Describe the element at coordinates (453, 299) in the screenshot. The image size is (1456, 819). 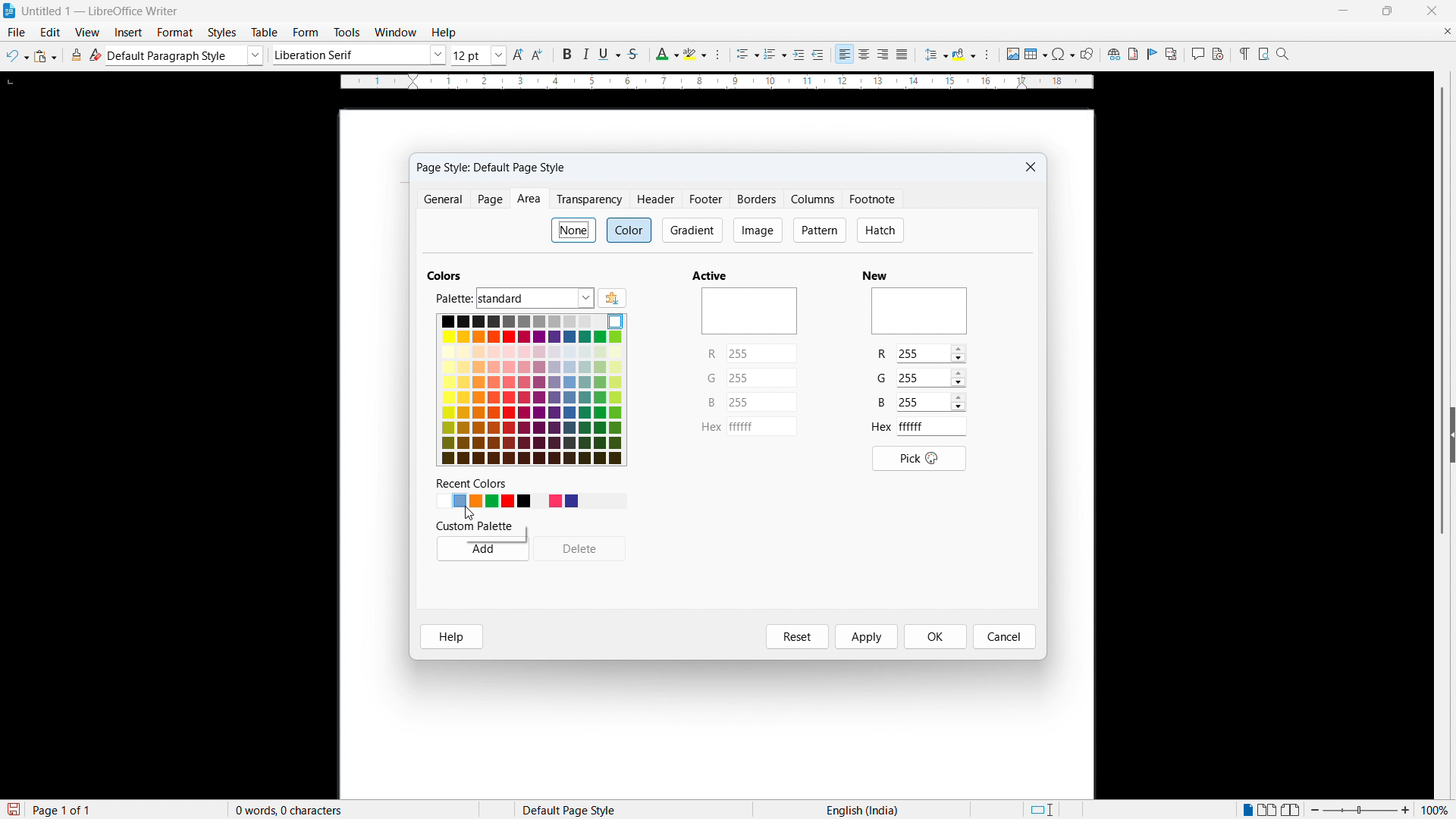
I see `palette` at that location.